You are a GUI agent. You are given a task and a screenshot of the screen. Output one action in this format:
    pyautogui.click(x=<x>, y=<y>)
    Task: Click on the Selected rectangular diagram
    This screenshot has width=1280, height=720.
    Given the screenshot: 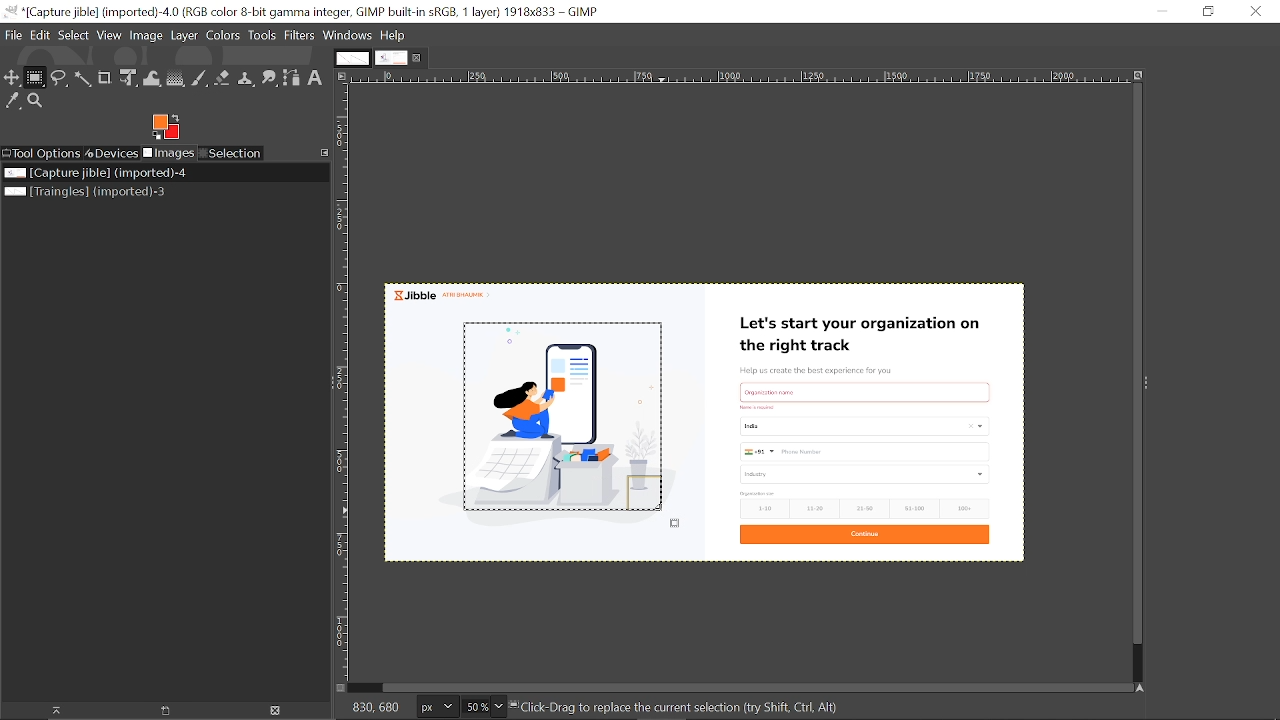 What is the action you would take?
    pyautogui.click(x=568, y=418)
    